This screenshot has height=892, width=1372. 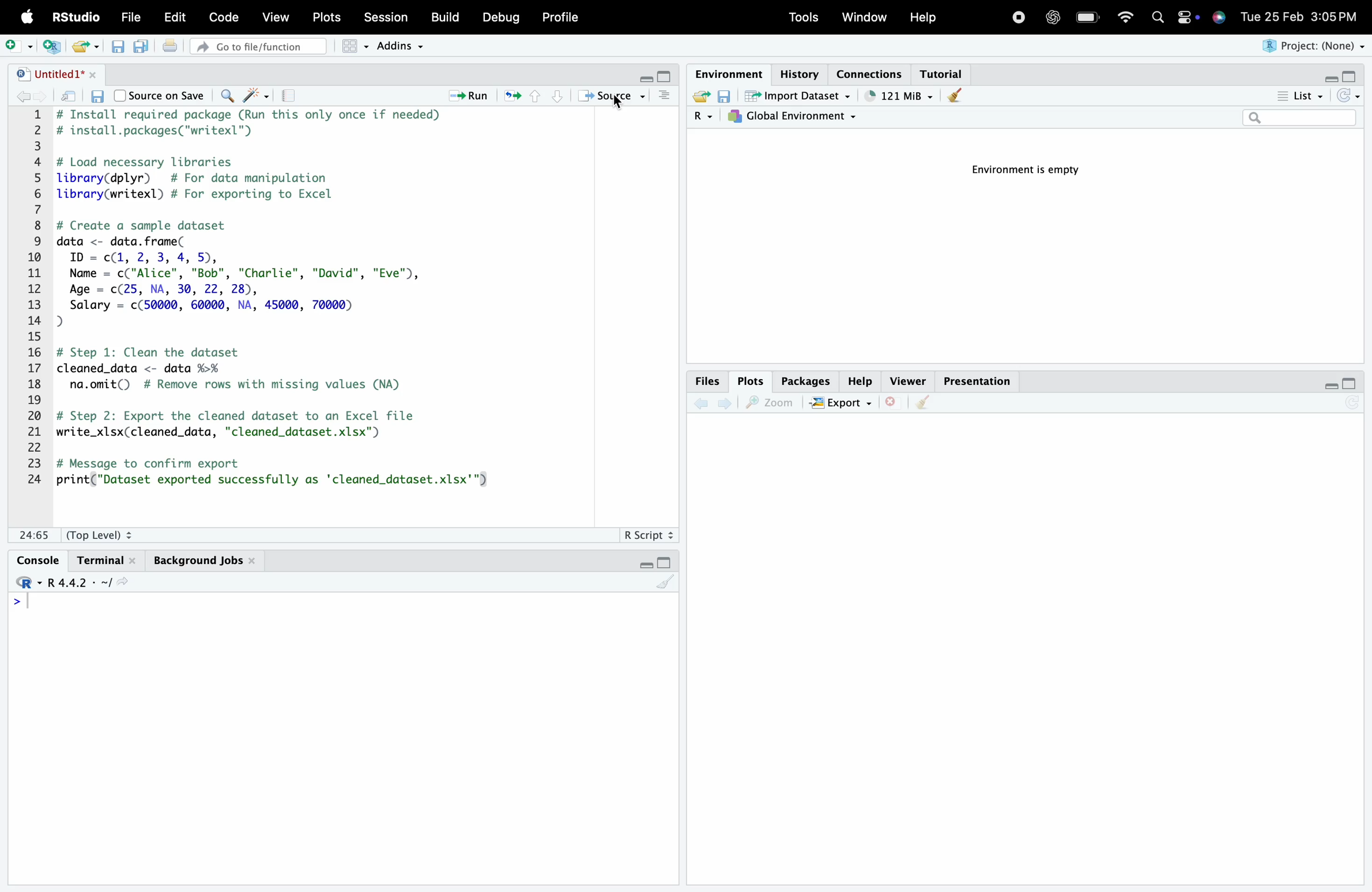 I want to click on (Top Level):, so click(x=100, y=532).